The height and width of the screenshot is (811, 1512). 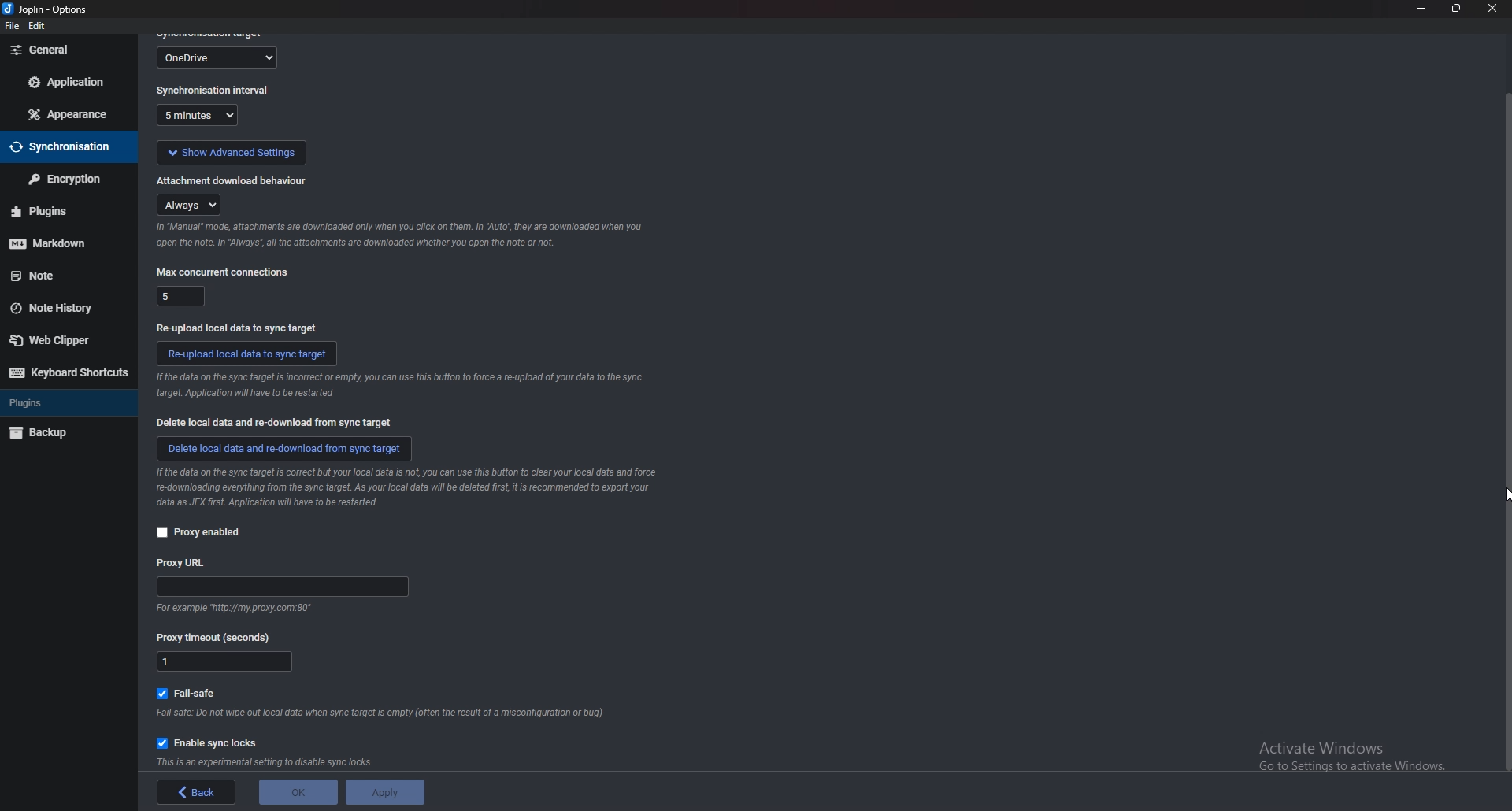 What do you see at coordinates (64, 148) in the screenshot?
I see `sync` at bounding box center [64, 148].